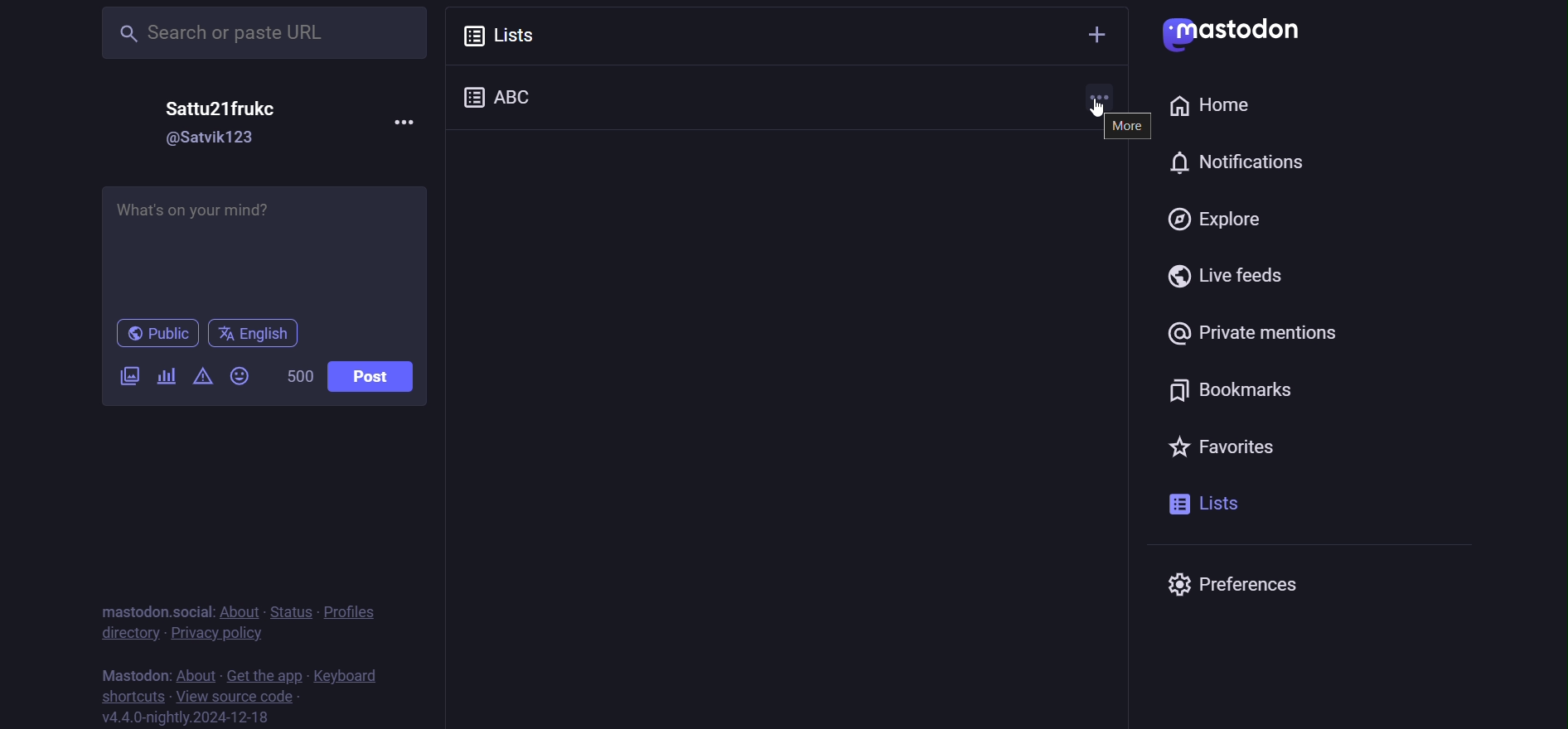  I want to click on emoji, so click(240, 374).